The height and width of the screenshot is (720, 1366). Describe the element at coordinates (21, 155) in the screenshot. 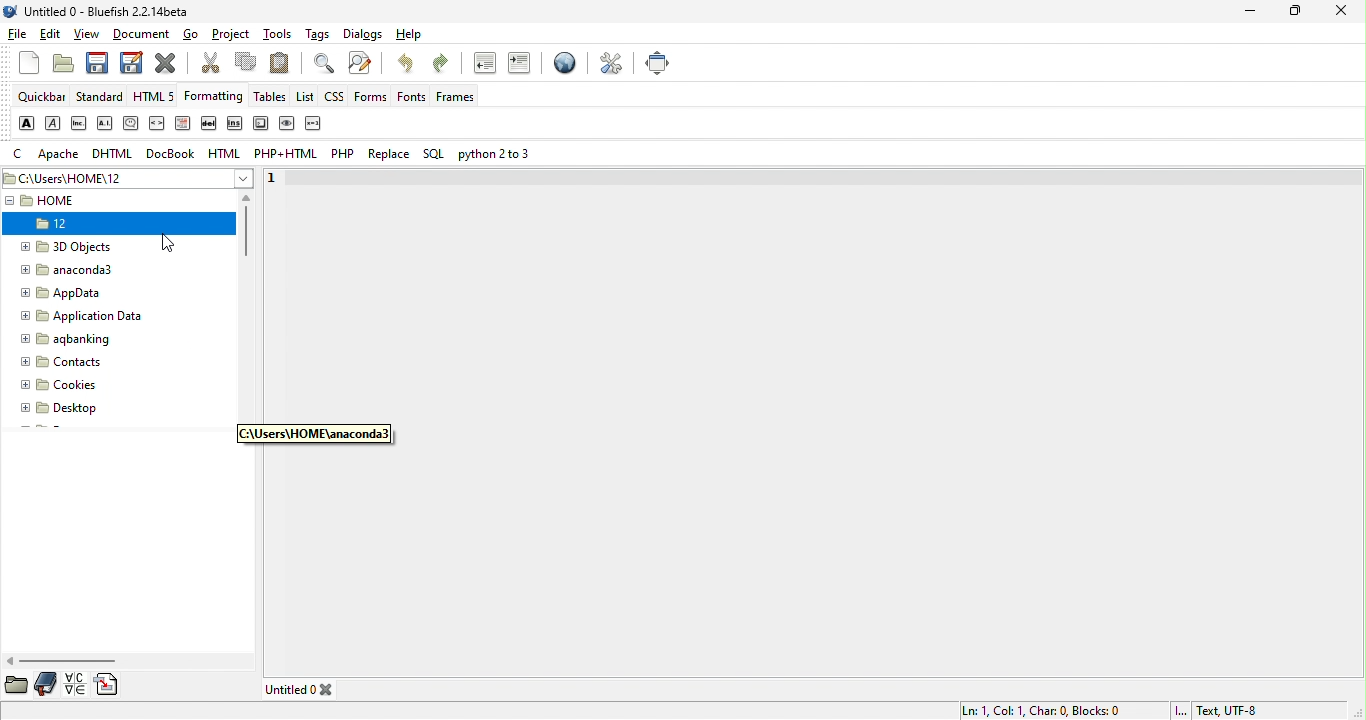

I see `c` at that location.